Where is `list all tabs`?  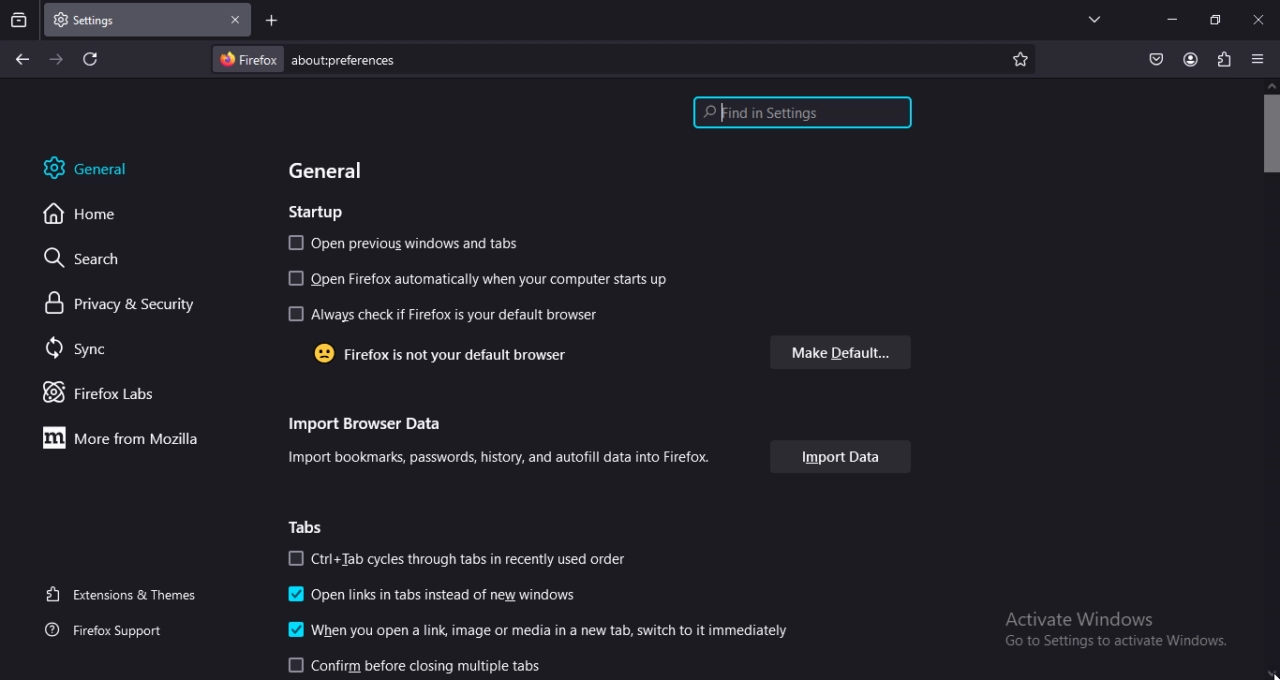 list all tabs is located at coordinates (1091, 19).